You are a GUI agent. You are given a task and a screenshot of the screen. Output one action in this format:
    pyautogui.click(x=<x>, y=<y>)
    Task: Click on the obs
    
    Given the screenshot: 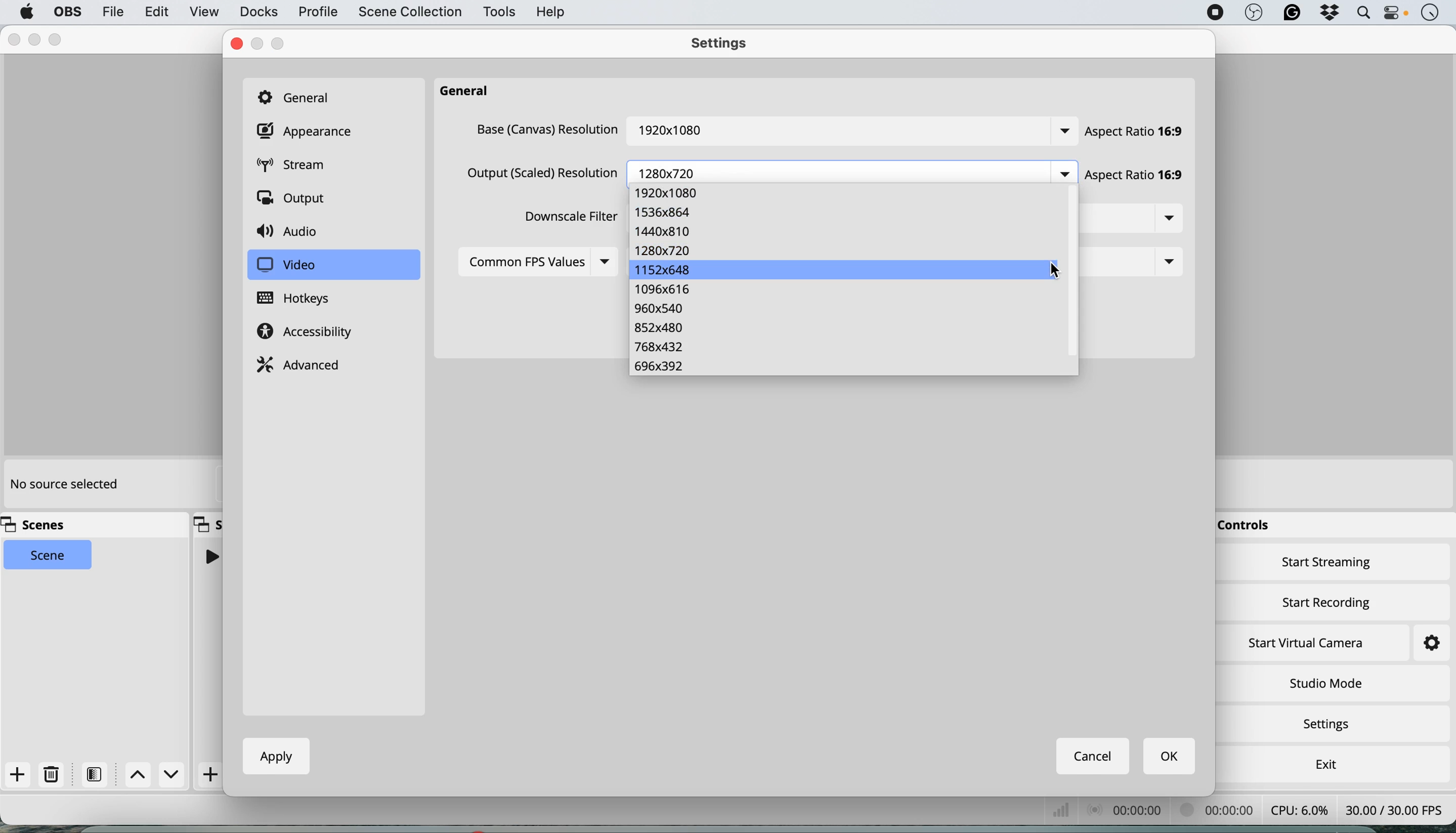 What is the action you would take?
    pyautogui.click(x=66, y=12)
    